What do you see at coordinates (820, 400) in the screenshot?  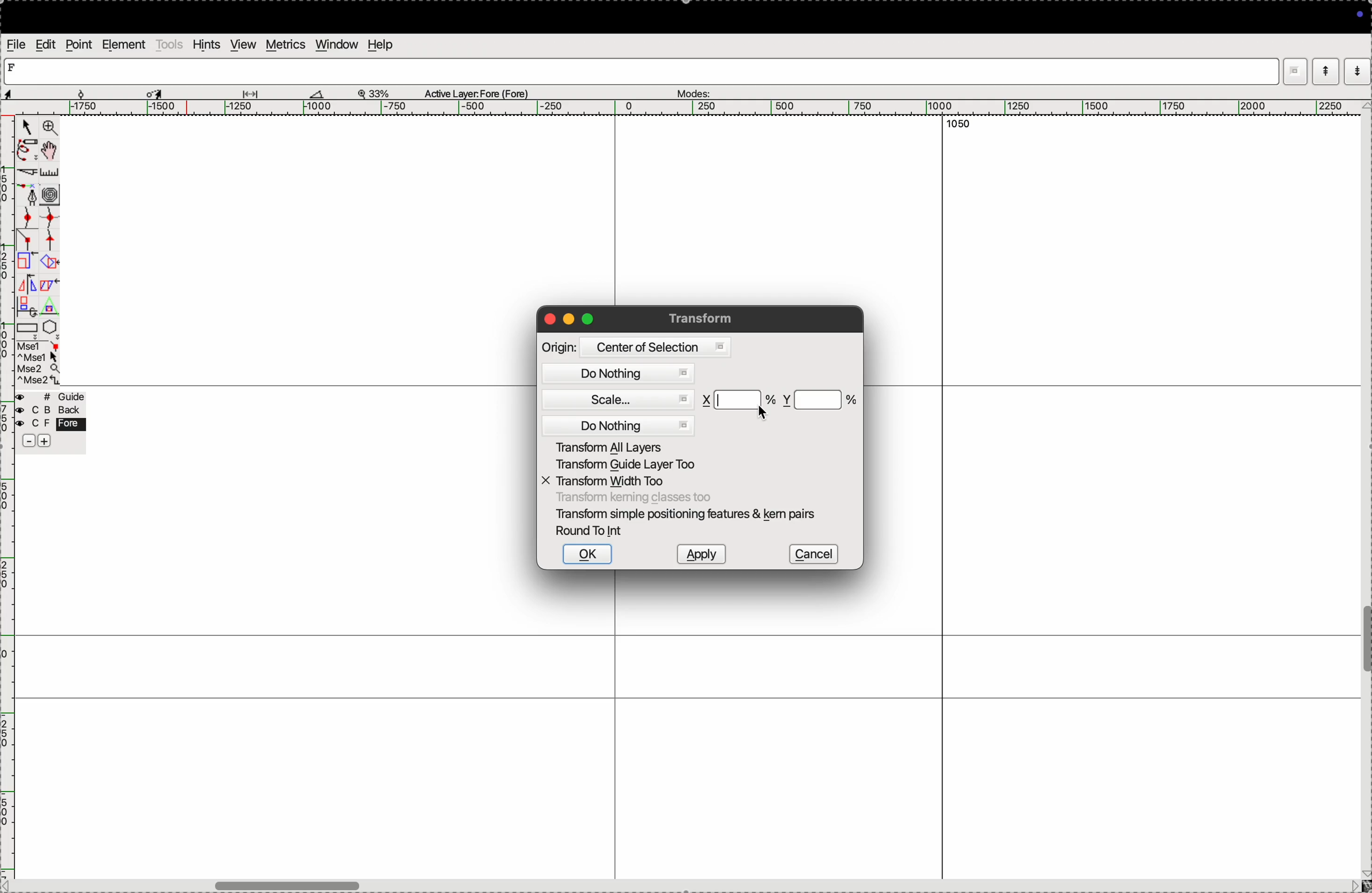 I see `y scale %` at bounding box center [820, 400].